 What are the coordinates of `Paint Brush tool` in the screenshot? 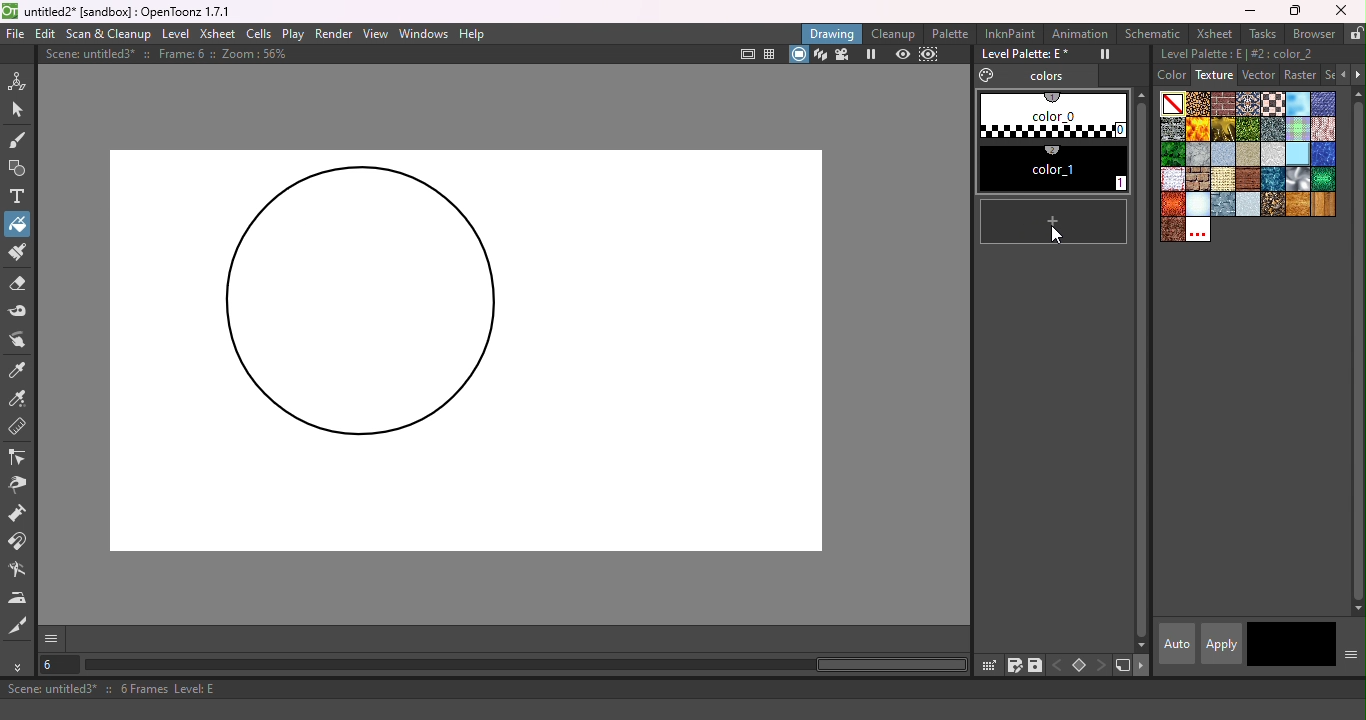 It's located at (20, 254).